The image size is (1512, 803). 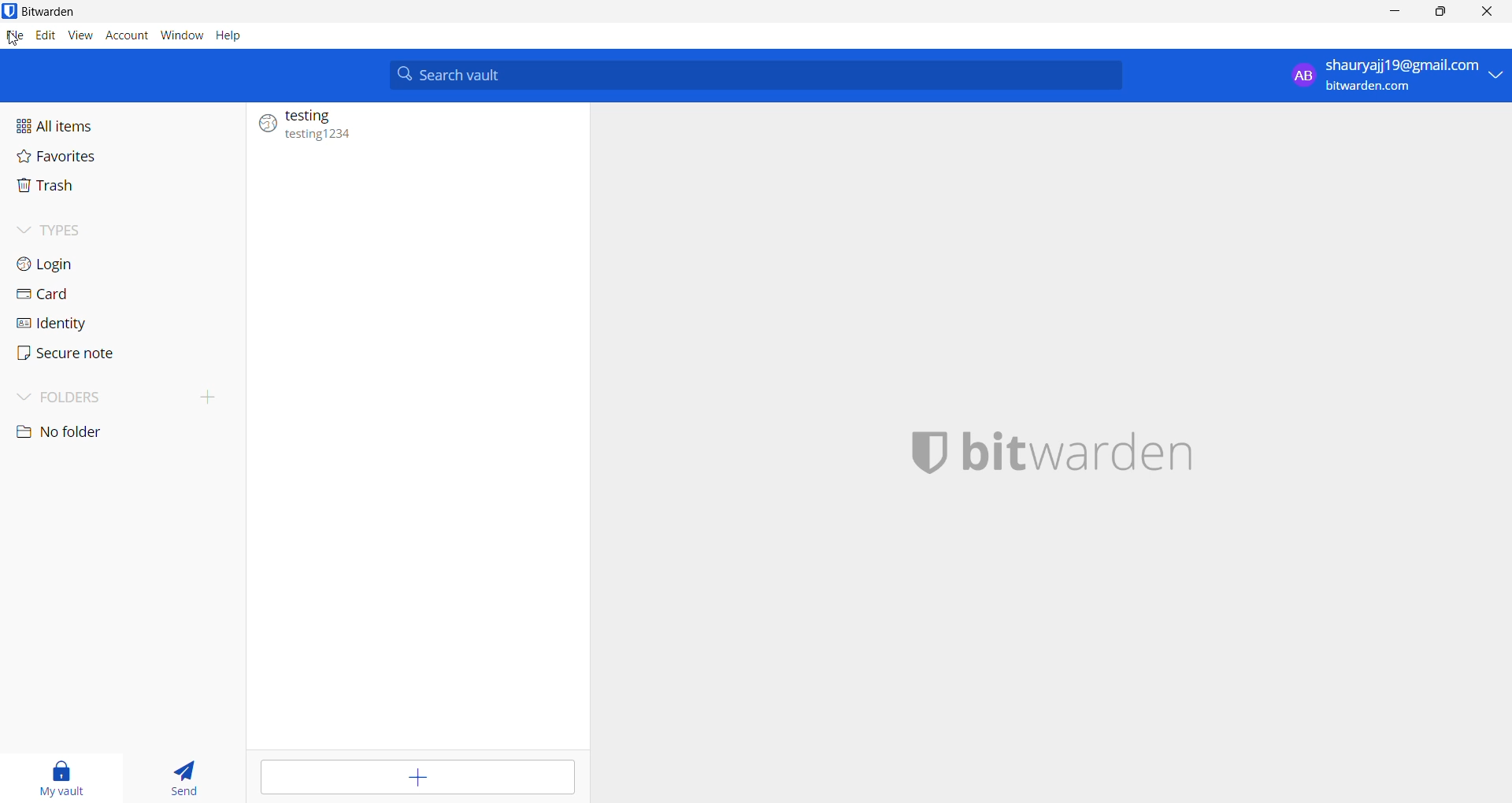 I want to click on cursor, so click(x=1486, y=13).